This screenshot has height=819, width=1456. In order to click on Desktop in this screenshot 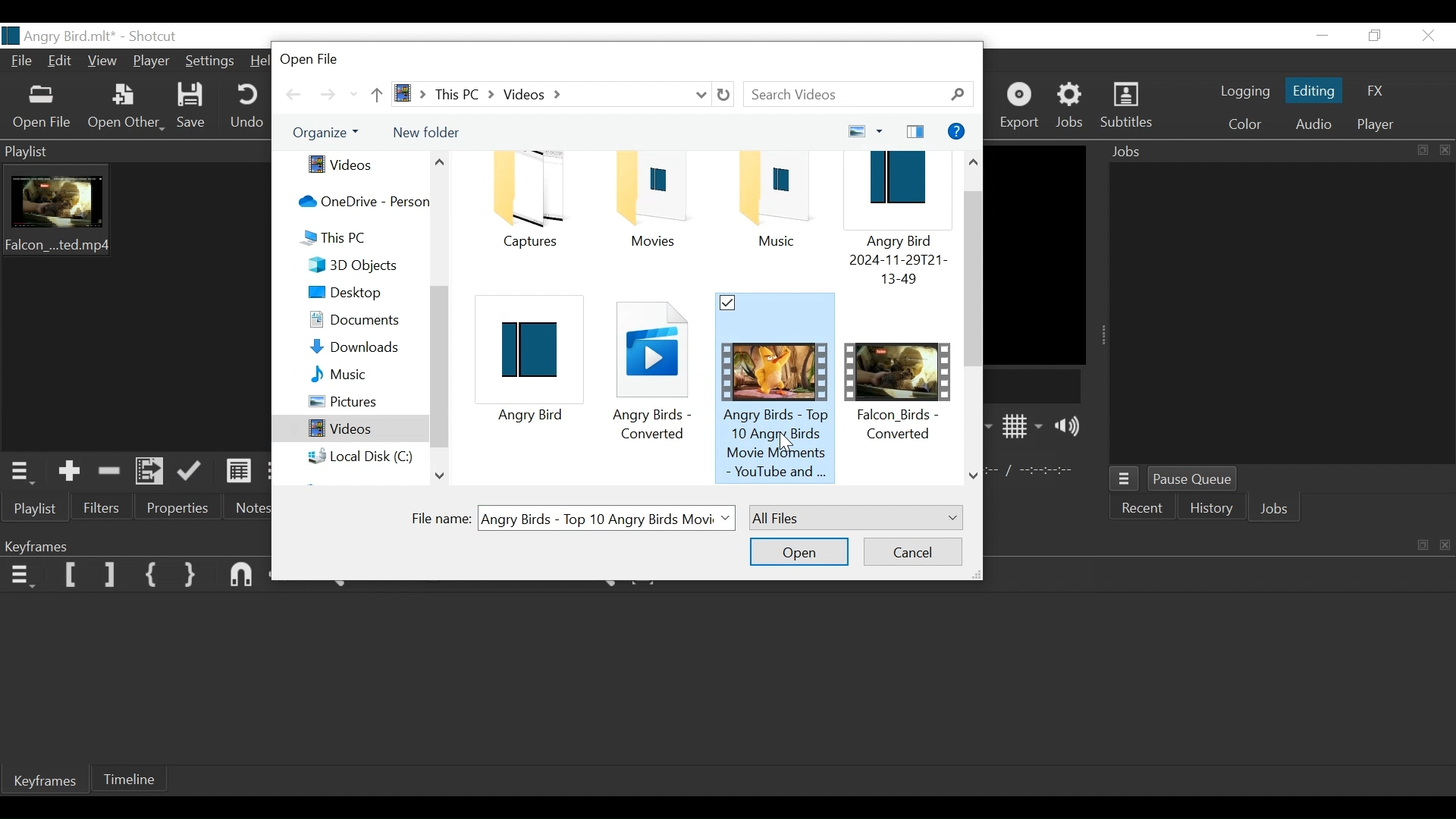, I will do `click(359, 293)`.